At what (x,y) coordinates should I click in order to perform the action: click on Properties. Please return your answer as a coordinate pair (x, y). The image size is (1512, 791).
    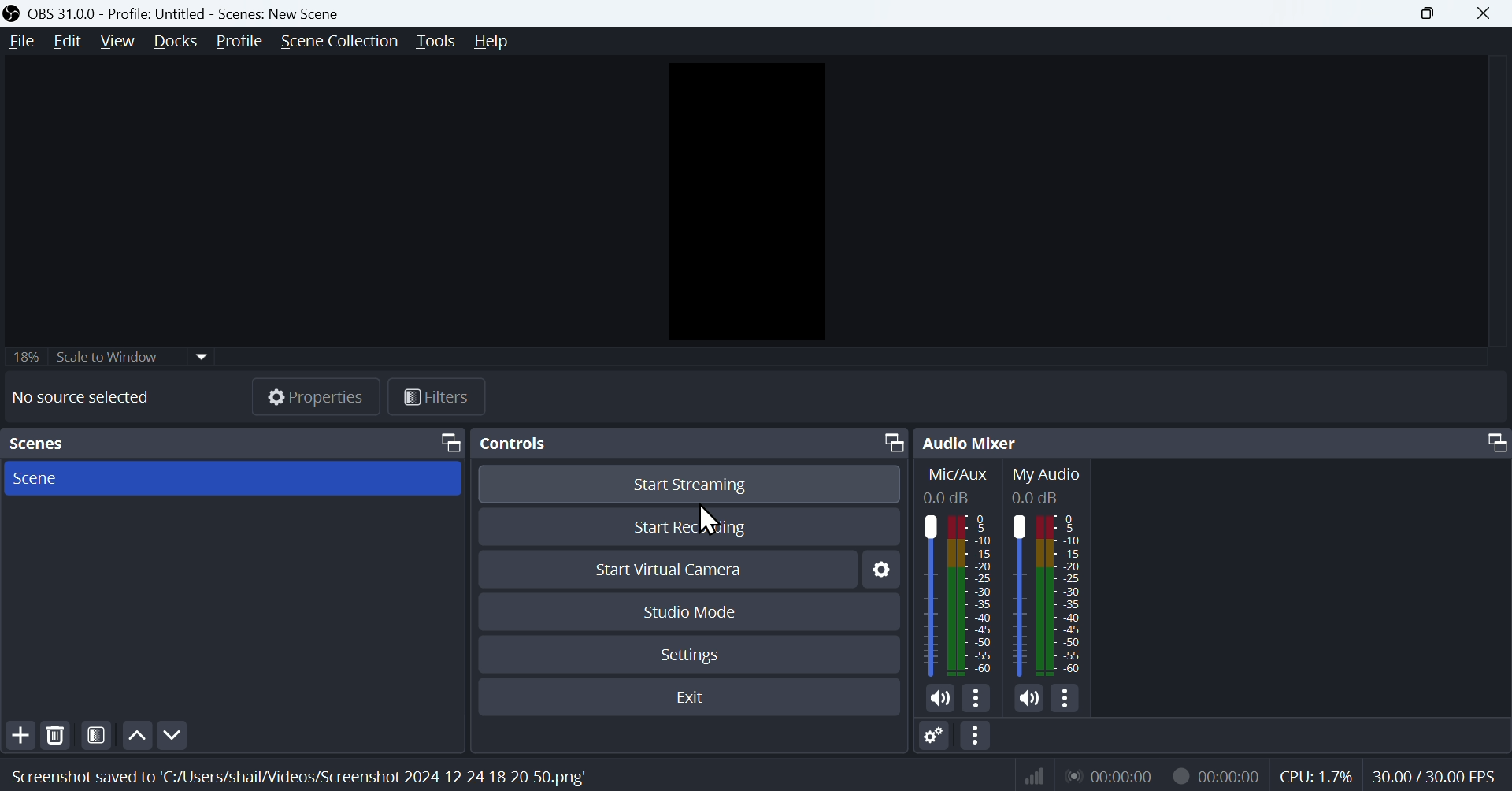
    Looking at the image, I should click on (311, 392).